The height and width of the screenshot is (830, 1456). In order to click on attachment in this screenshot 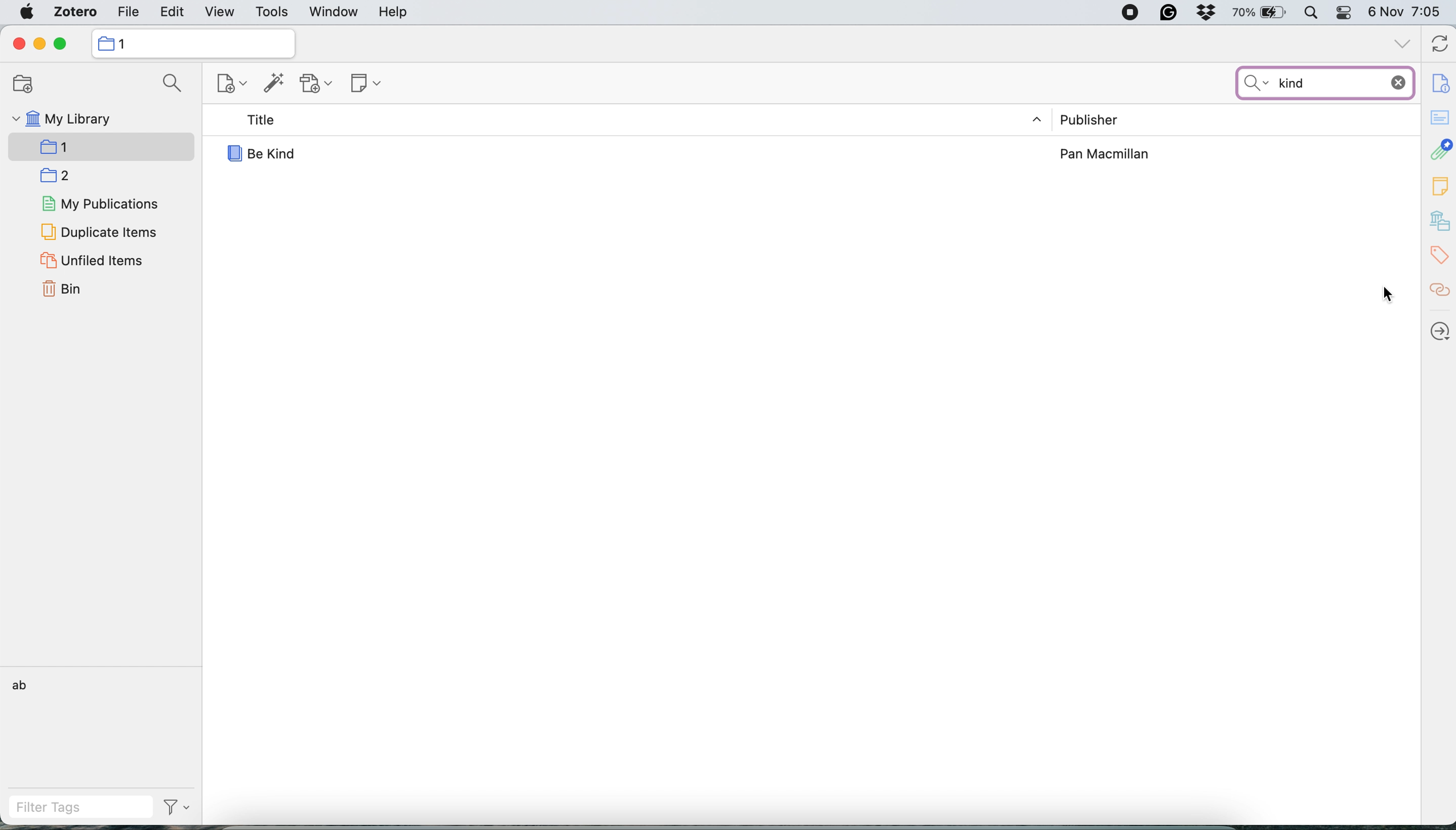, I will do `click(1439, 150)`.